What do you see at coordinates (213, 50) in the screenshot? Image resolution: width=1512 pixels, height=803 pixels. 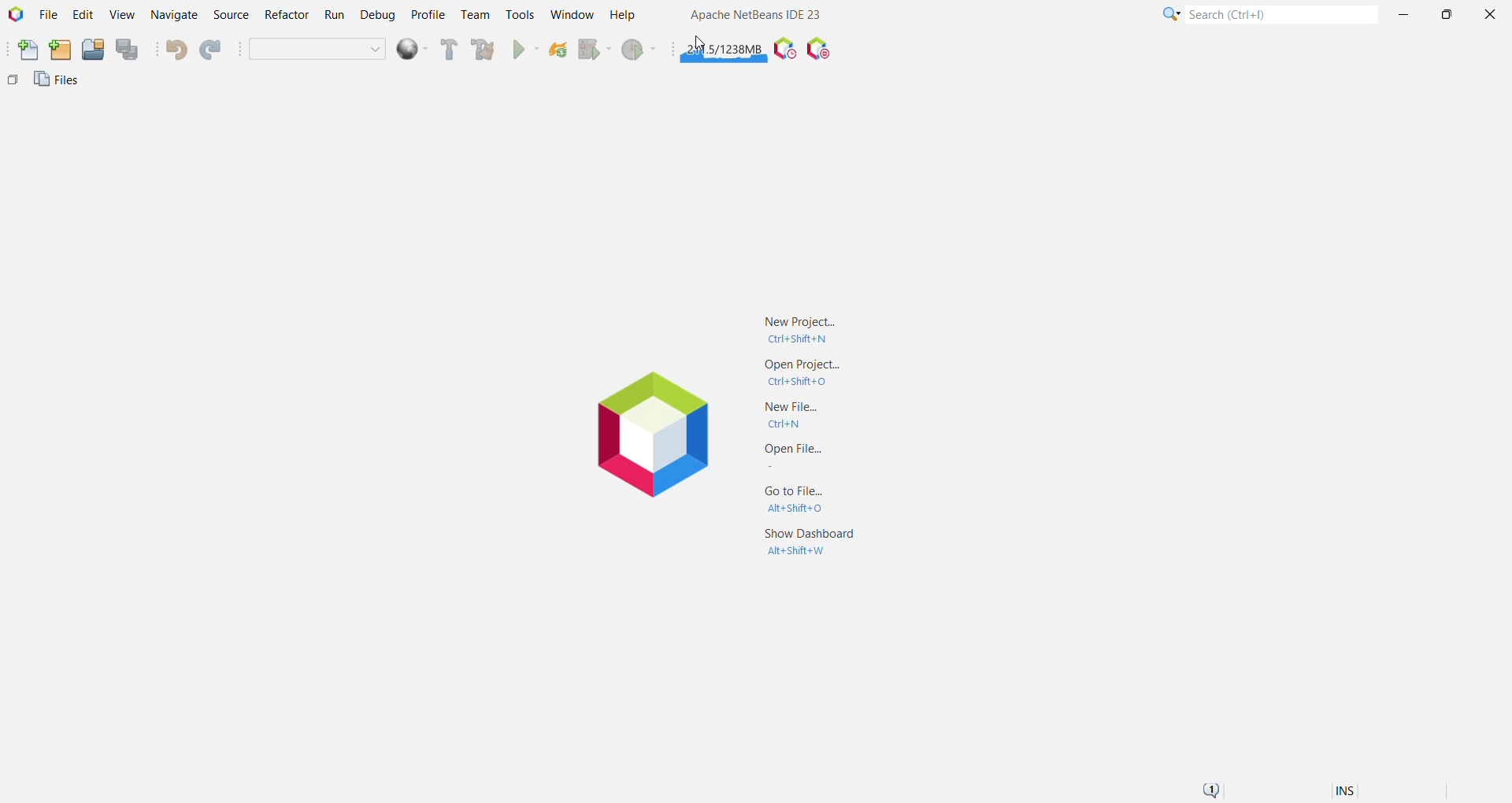 I see `Redo` at bounding box center [213, 50].